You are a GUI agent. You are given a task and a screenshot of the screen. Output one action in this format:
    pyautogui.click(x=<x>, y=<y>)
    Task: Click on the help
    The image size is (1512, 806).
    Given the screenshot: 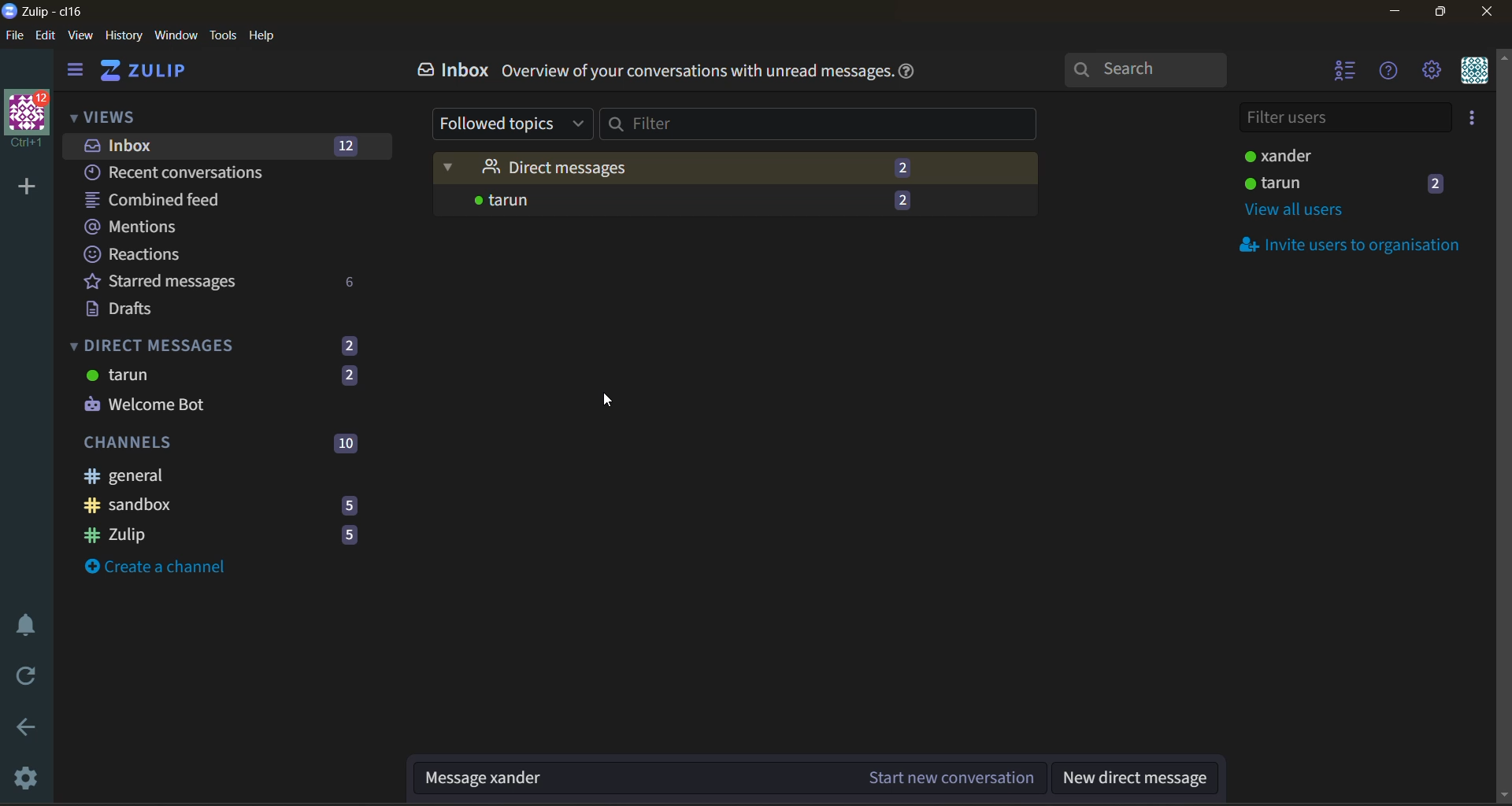 What is the action you would take?
    pyautogui.click(x=911, y=76)
    